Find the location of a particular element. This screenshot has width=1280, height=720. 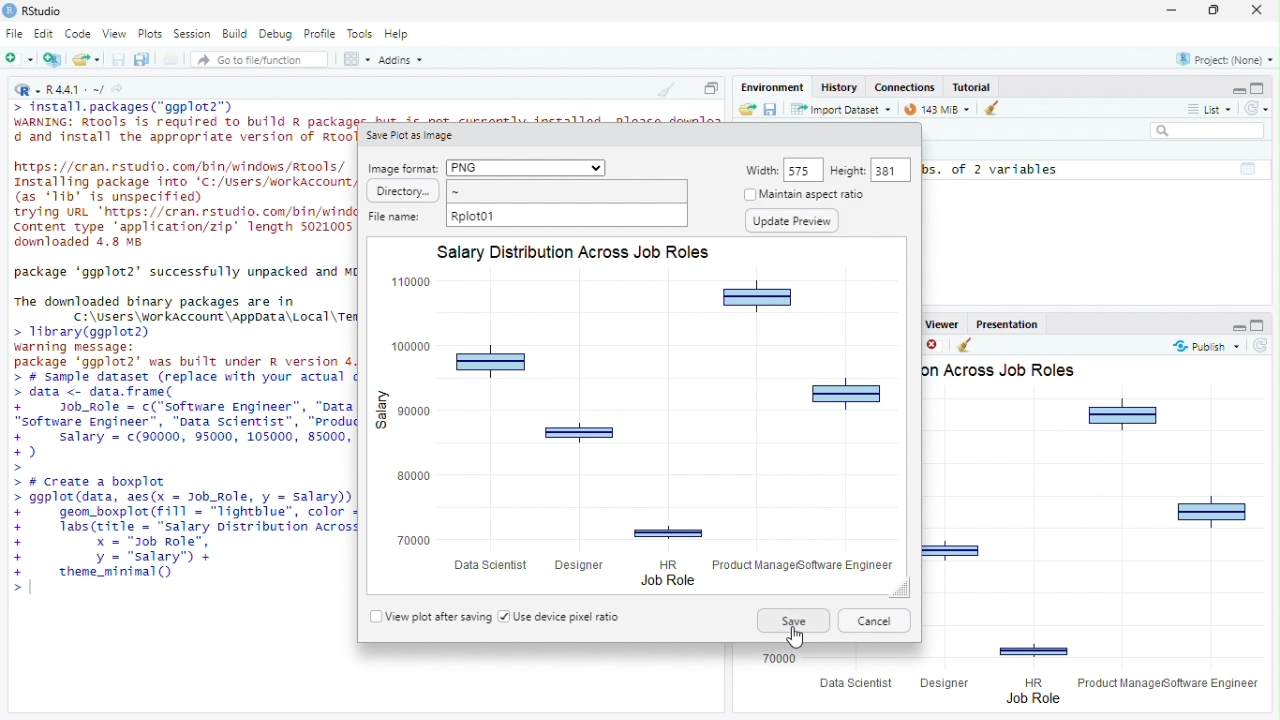

height : 381 is located at coordinates (870, 170).